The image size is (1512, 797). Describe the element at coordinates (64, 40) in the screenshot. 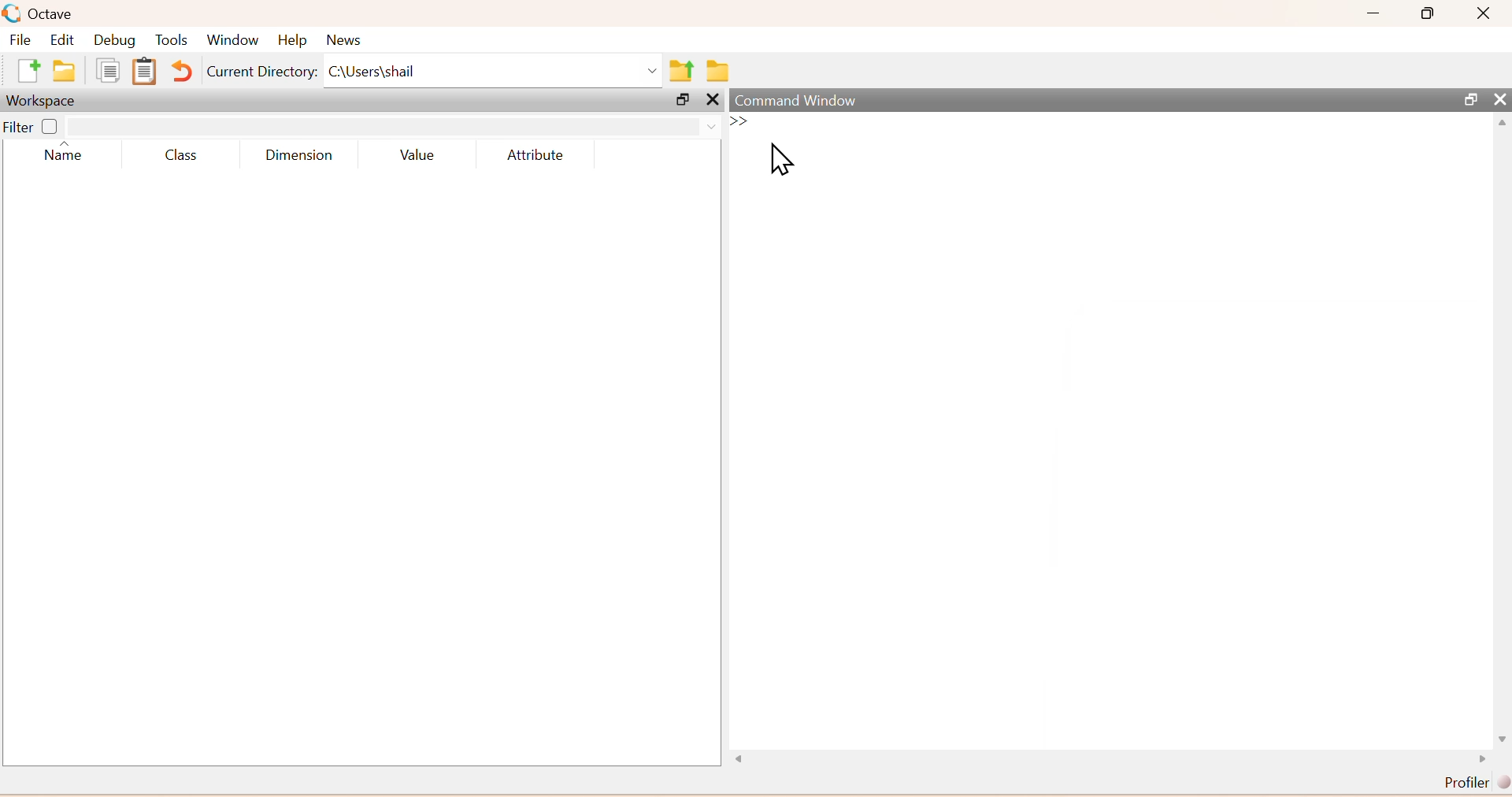

I see `Edit` at that location.